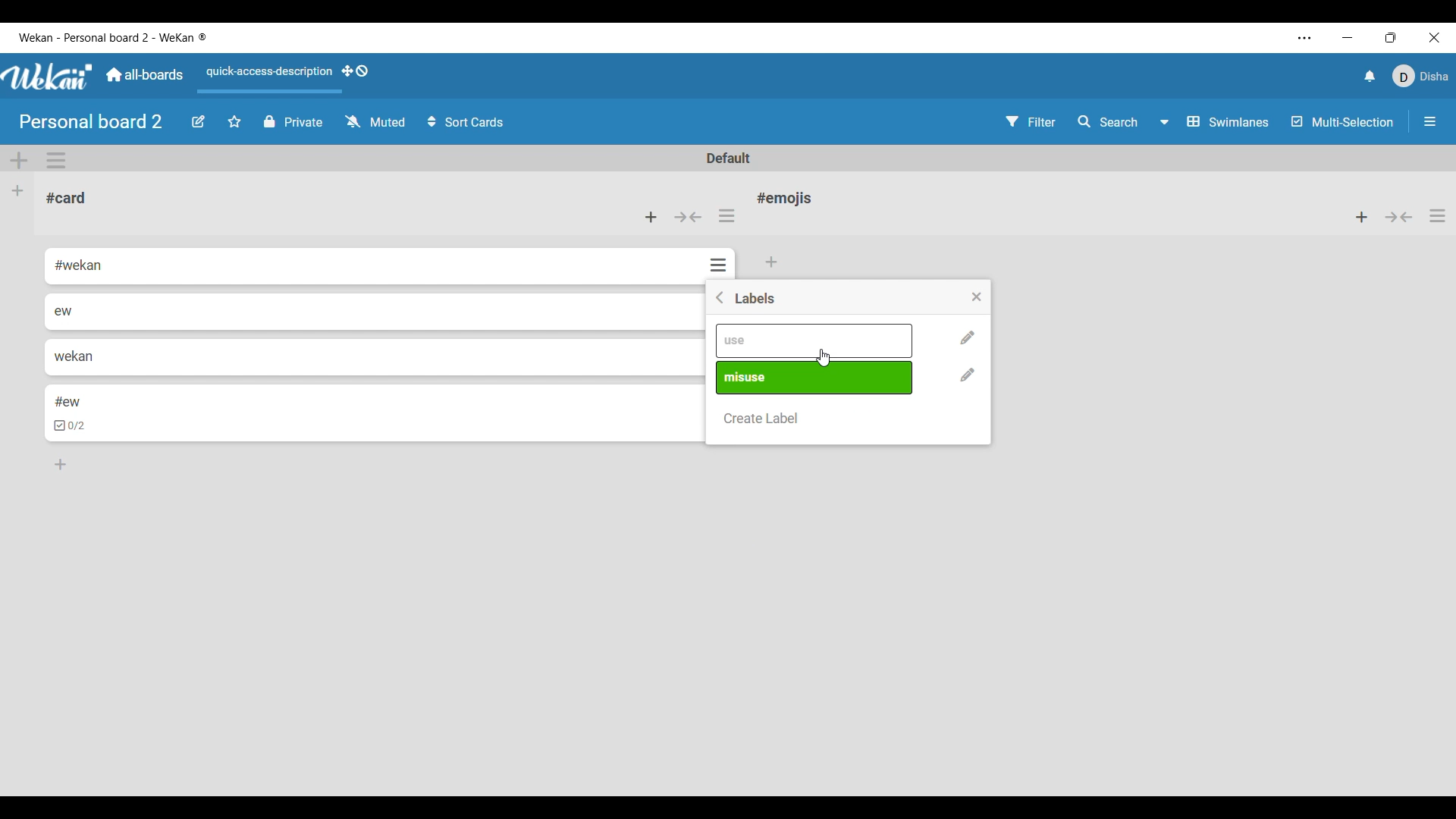  What do you see at coordinates (56, 160) in the screenshot?
I see `Swimlane actions` at bounding box center [56, 160].